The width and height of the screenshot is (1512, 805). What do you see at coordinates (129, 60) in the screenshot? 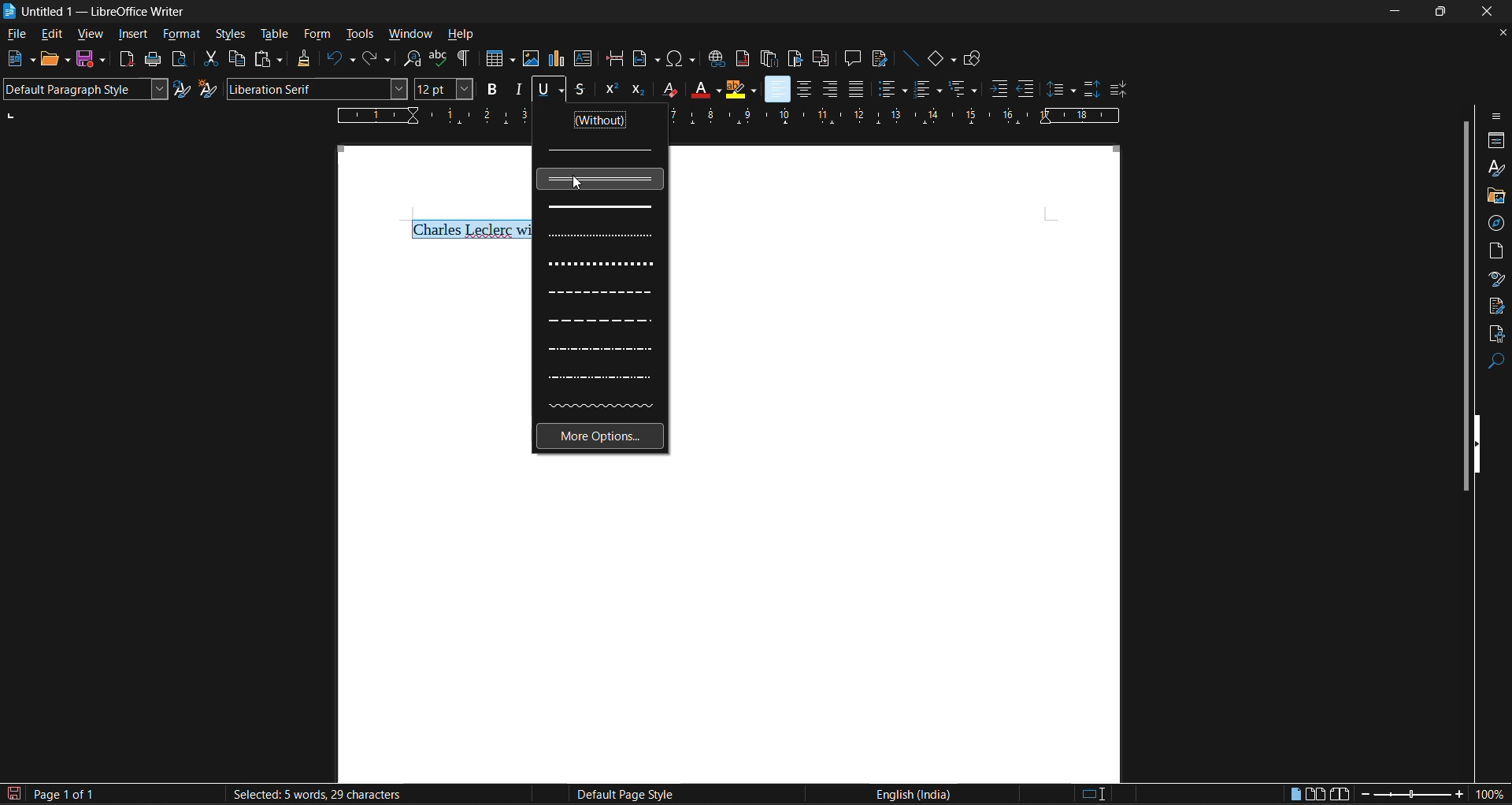
I see `export directly as PDF` at bounding box center [129, 60].